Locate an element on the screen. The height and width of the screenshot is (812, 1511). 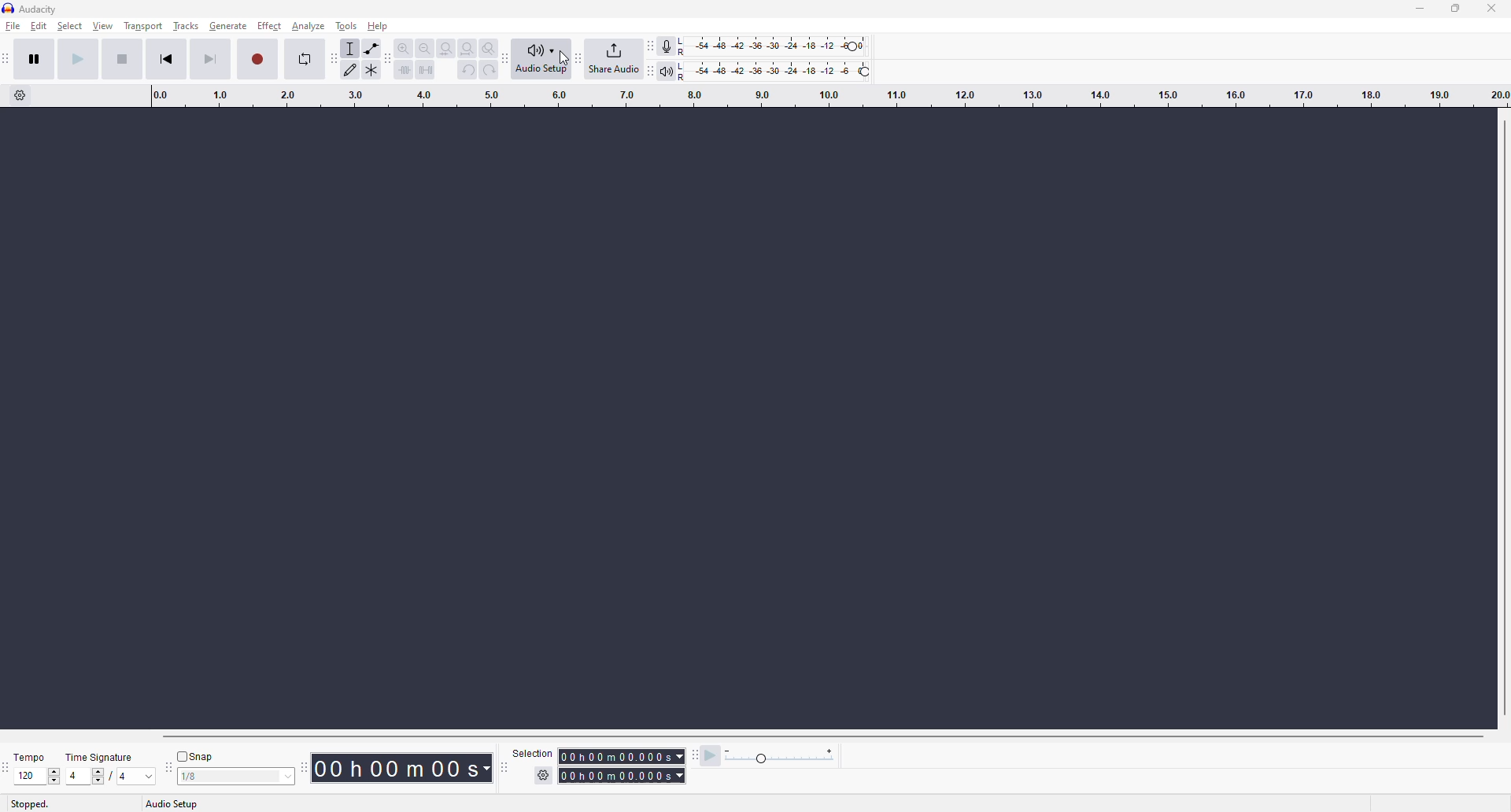
click and drag to define a looping region is located at coordinates (825, 98).